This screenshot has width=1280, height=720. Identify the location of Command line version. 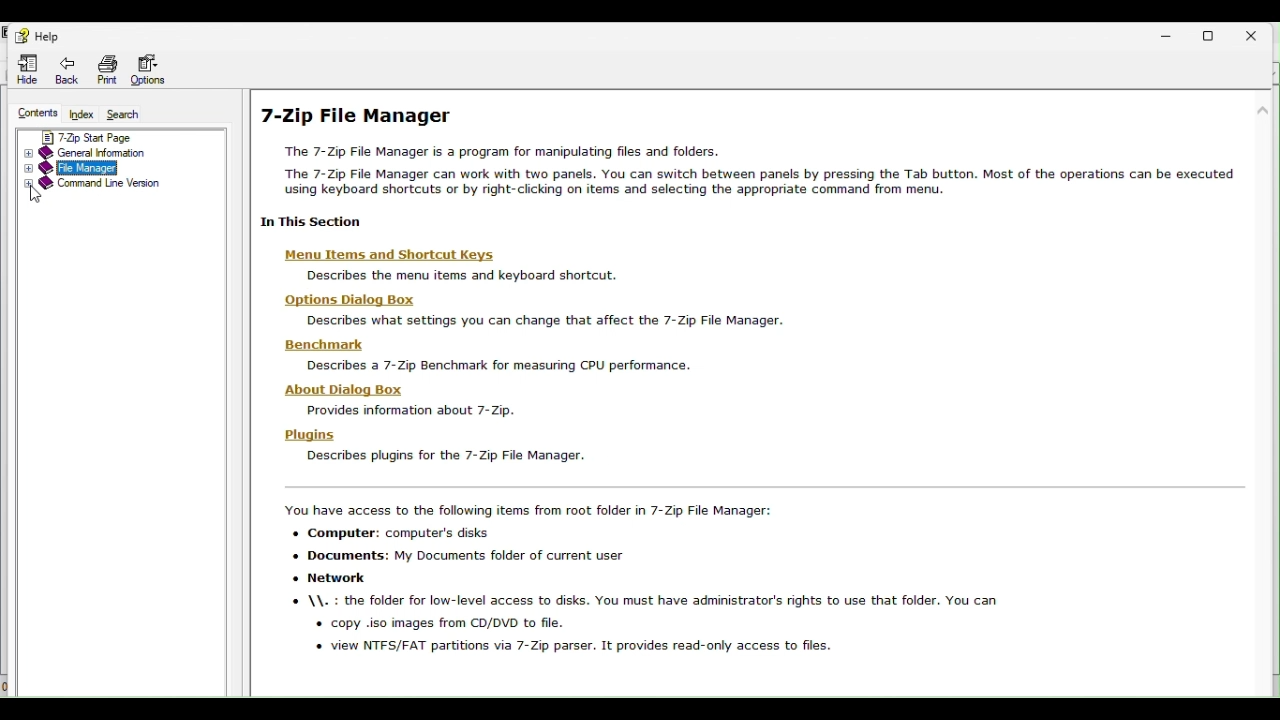
(95, 186).